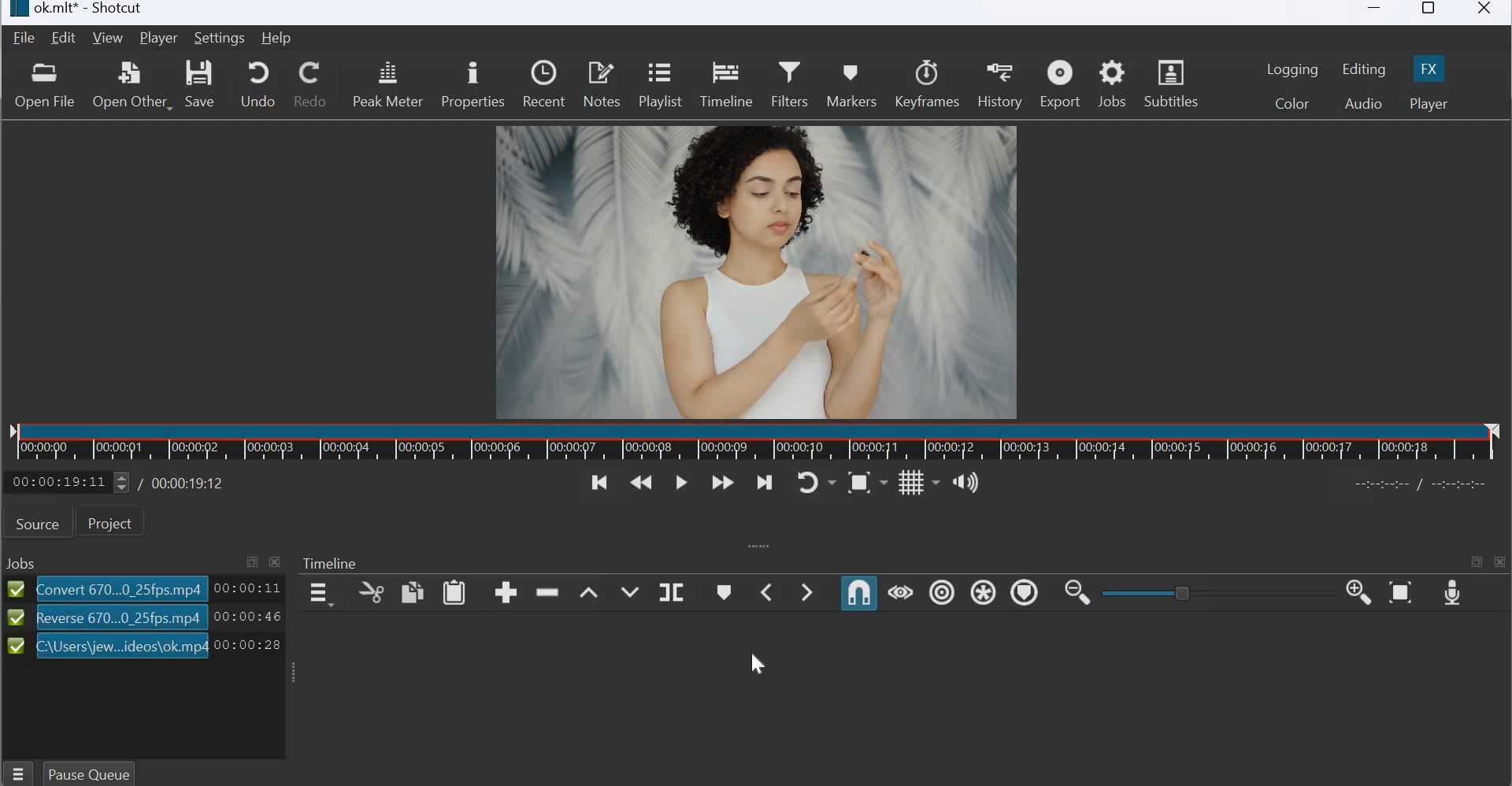  Describe the element at coordinates (17, 647) in the screenshot. I see `checkmark` at that location.